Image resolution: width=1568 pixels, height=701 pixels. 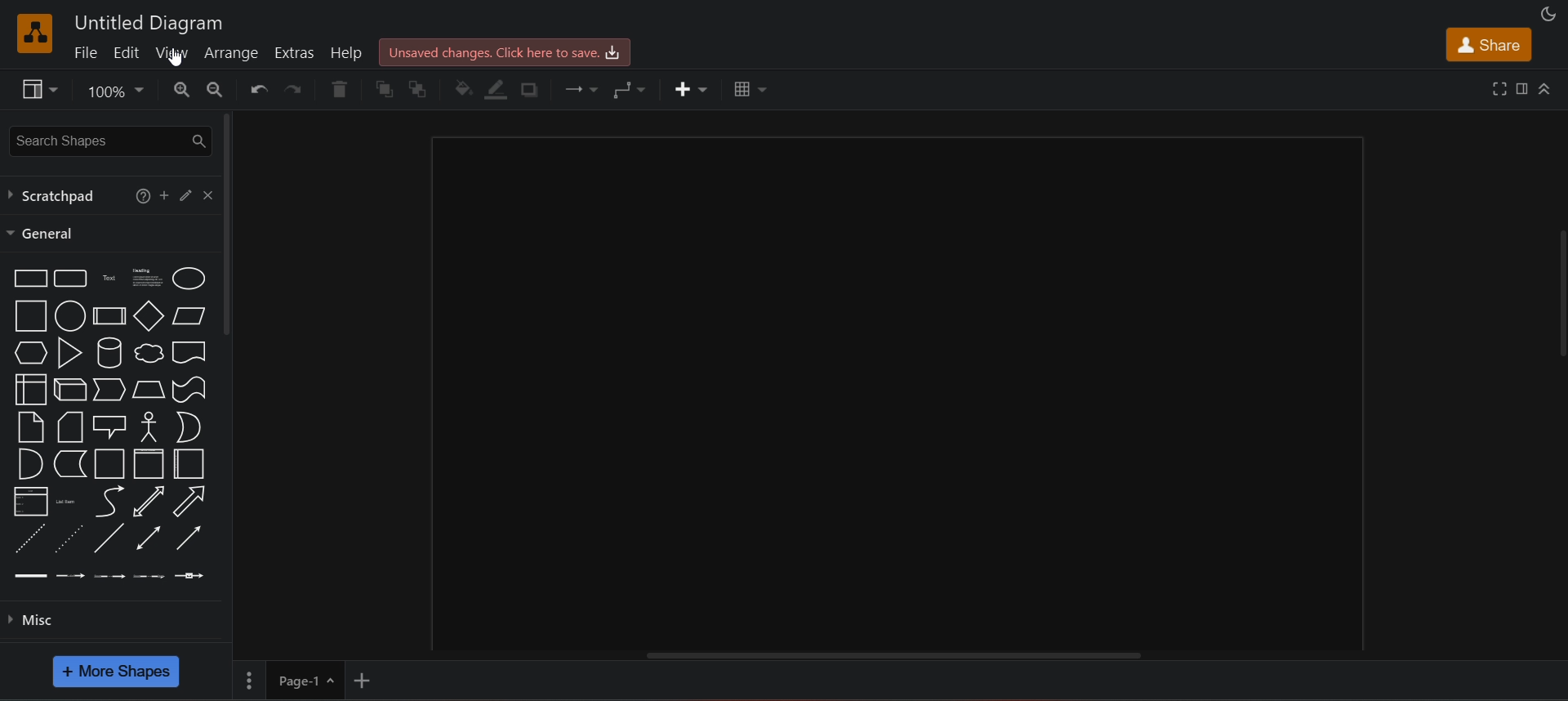 What do you see at coordinates (114, 90) in the screenshot?
I see `zoom` at bounding box center [114, 90].